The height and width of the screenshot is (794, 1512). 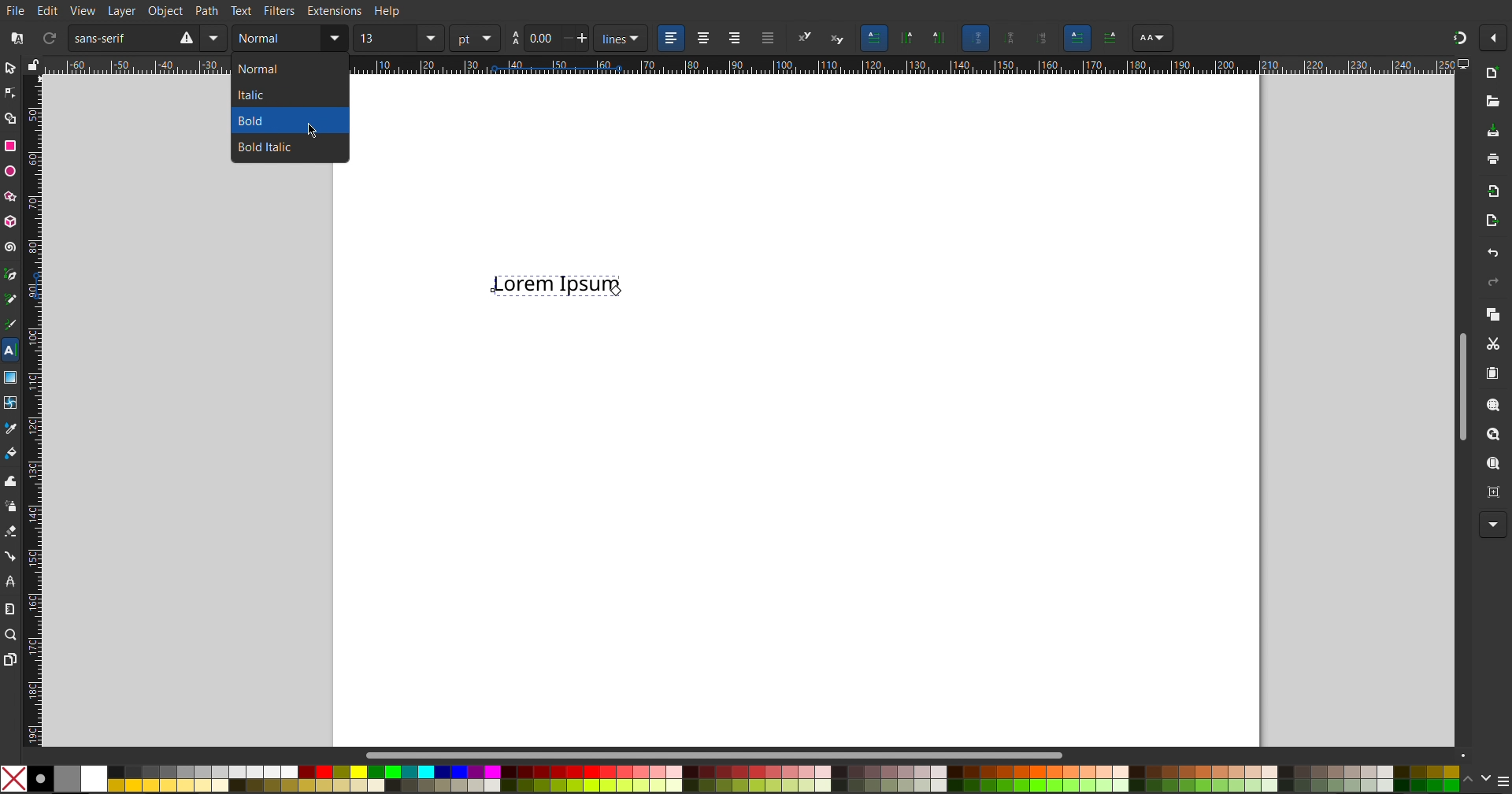 What do you see at coordinates (1492, 161) in the screenshot?
I see `Print` at bounding box center [1492, 161].